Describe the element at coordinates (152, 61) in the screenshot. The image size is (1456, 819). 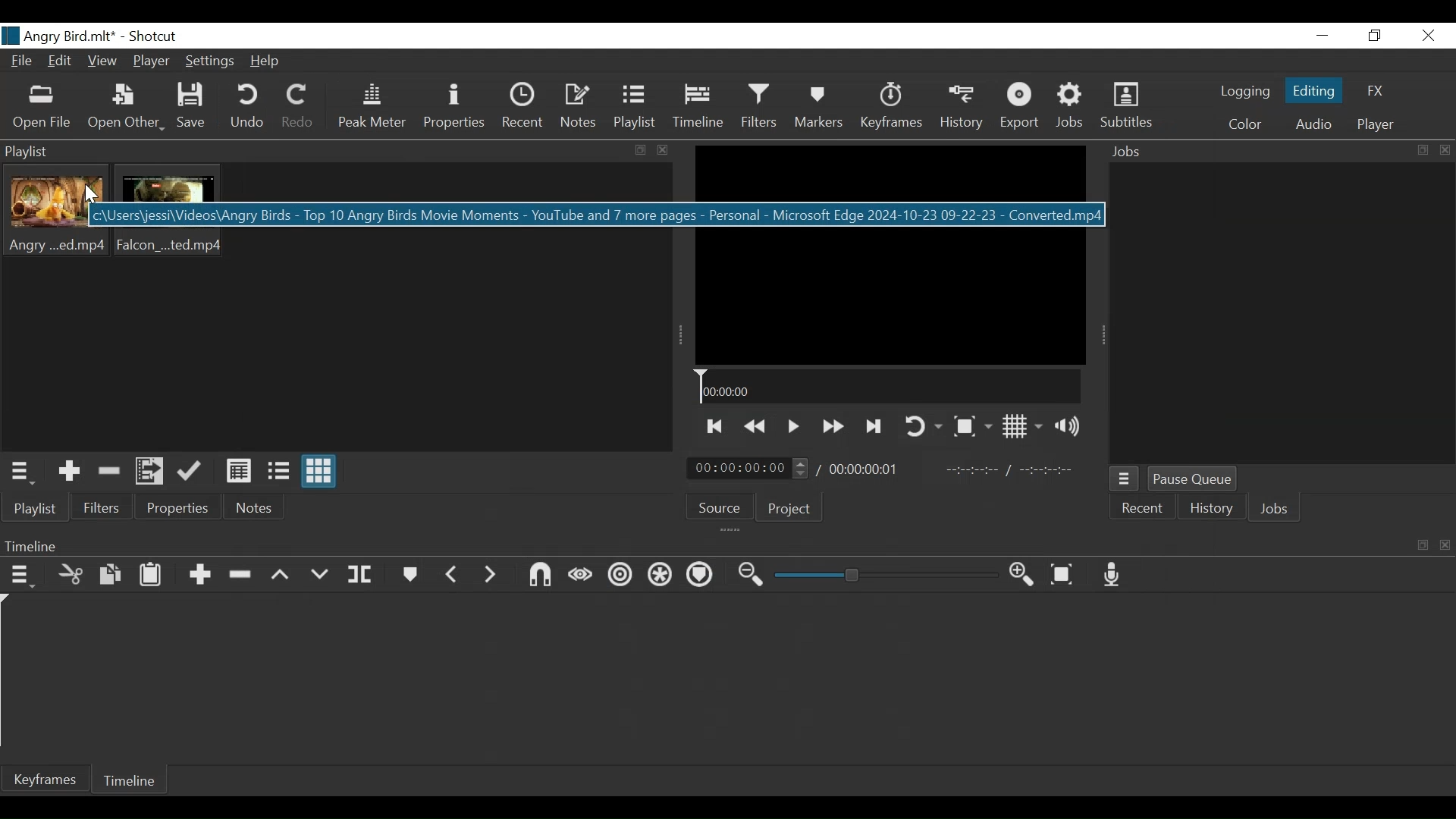
I see `Player` at that location.